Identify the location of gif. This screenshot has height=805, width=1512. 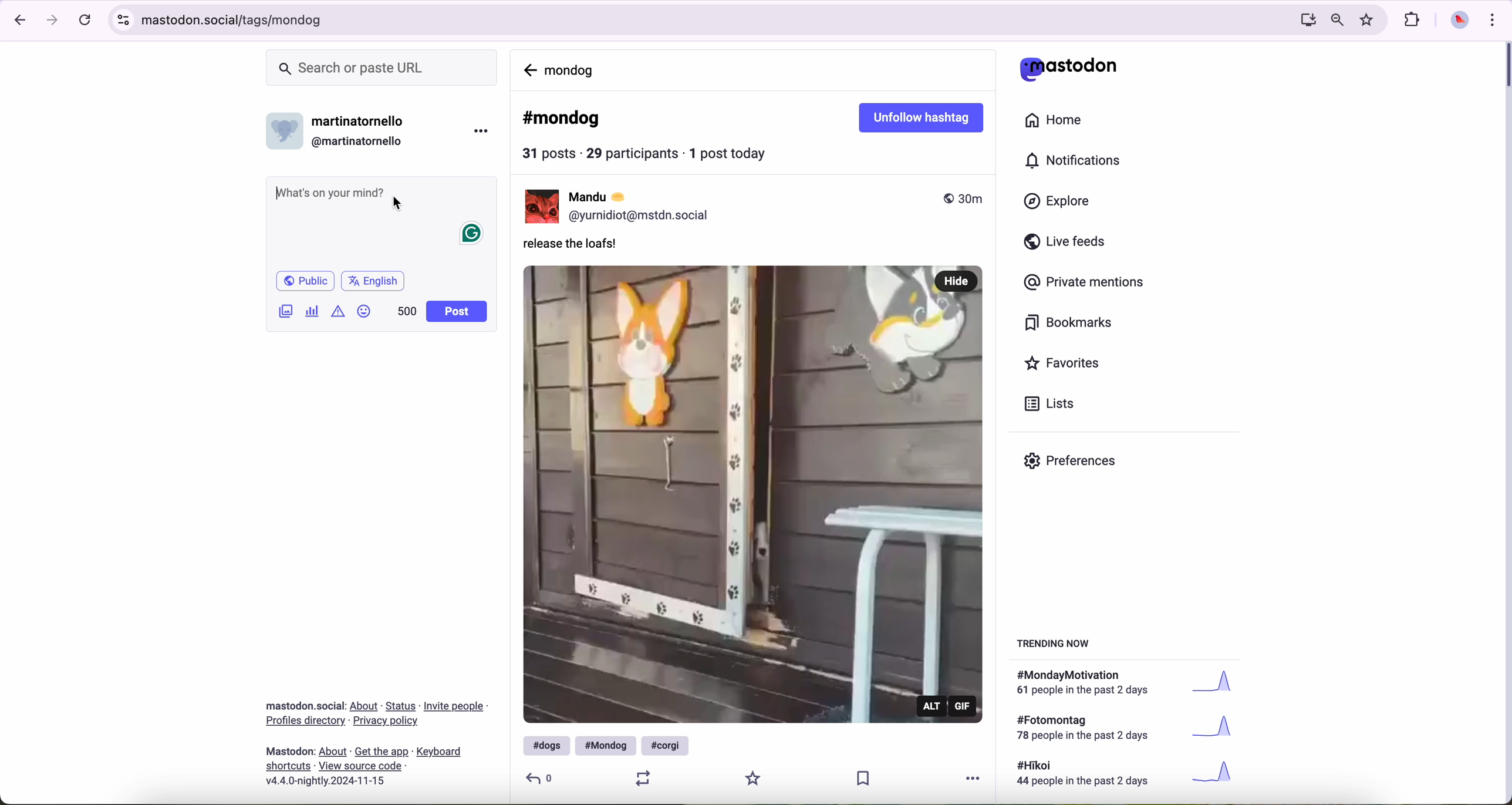
(964, 706).